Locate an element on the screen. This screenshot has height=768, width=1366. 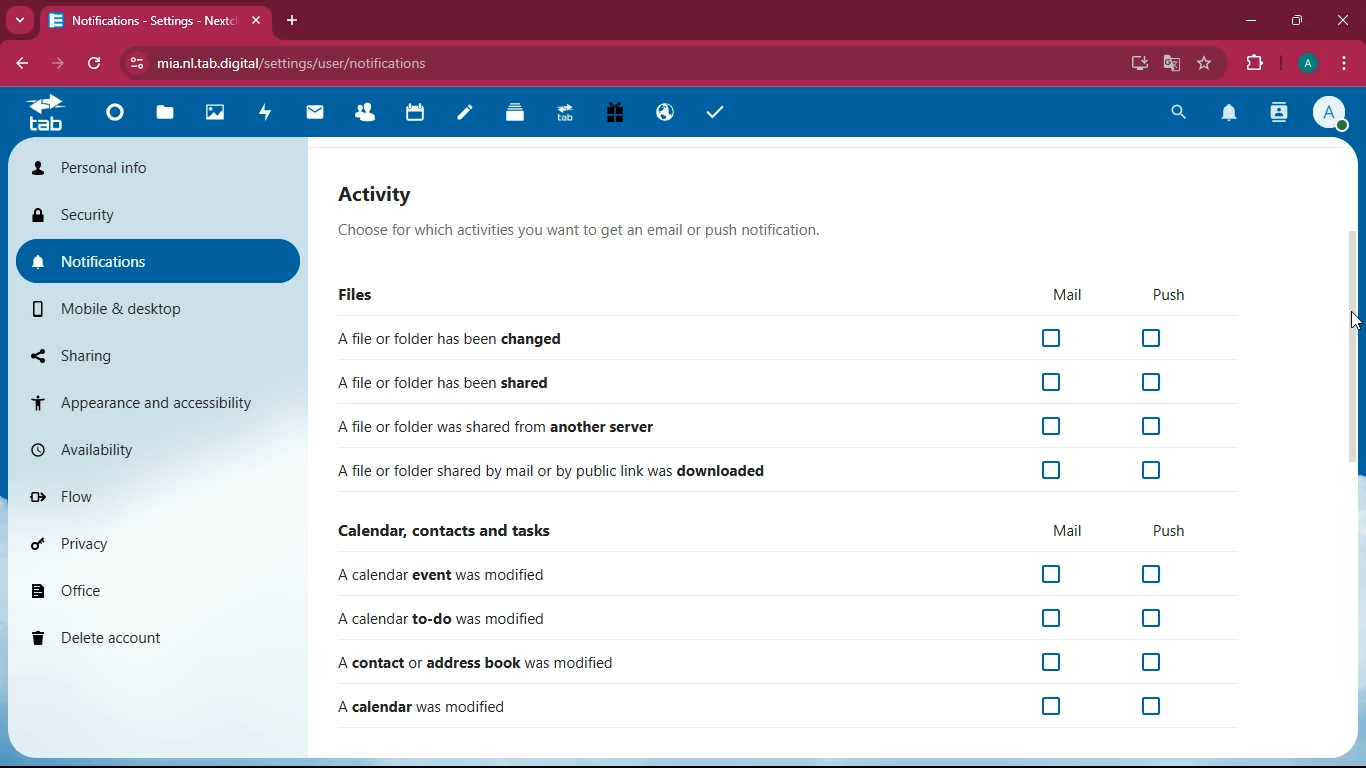
options is located at coordinates (1345, 63).